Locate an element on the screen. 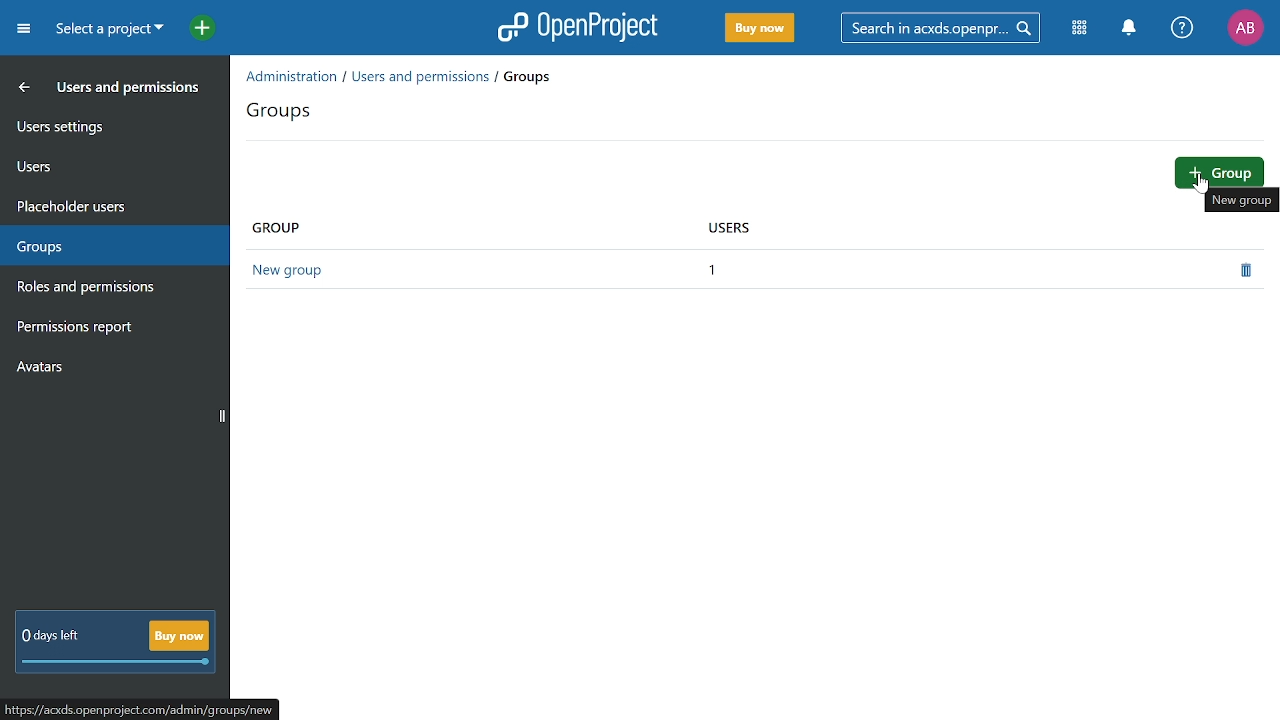  search is located at coordinates (937, 27).